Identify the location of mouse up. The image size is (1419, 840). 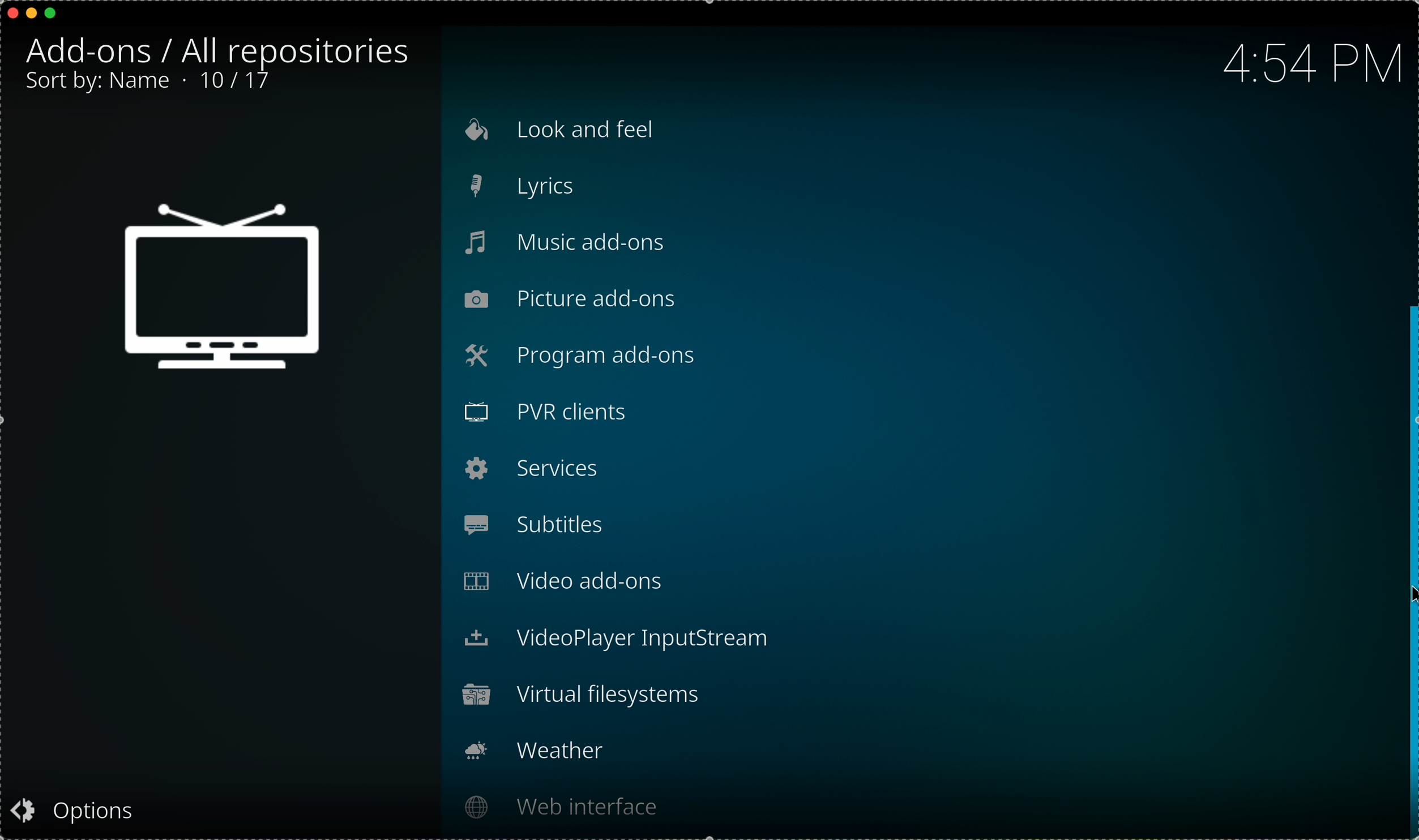
(1405, 596).